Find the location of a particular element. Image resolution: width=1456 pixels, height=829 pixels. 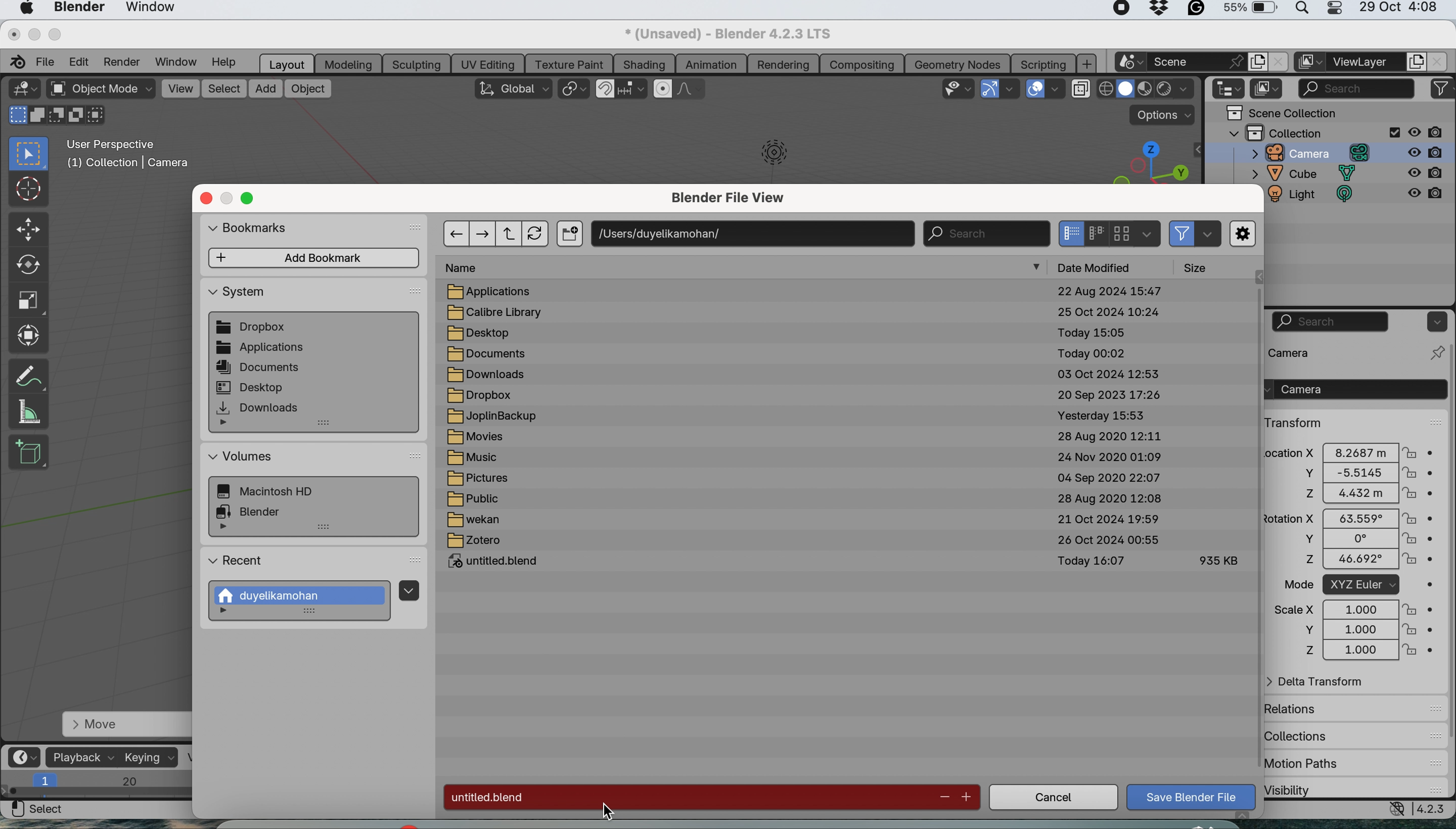

move is located at coordinates (29, 230).